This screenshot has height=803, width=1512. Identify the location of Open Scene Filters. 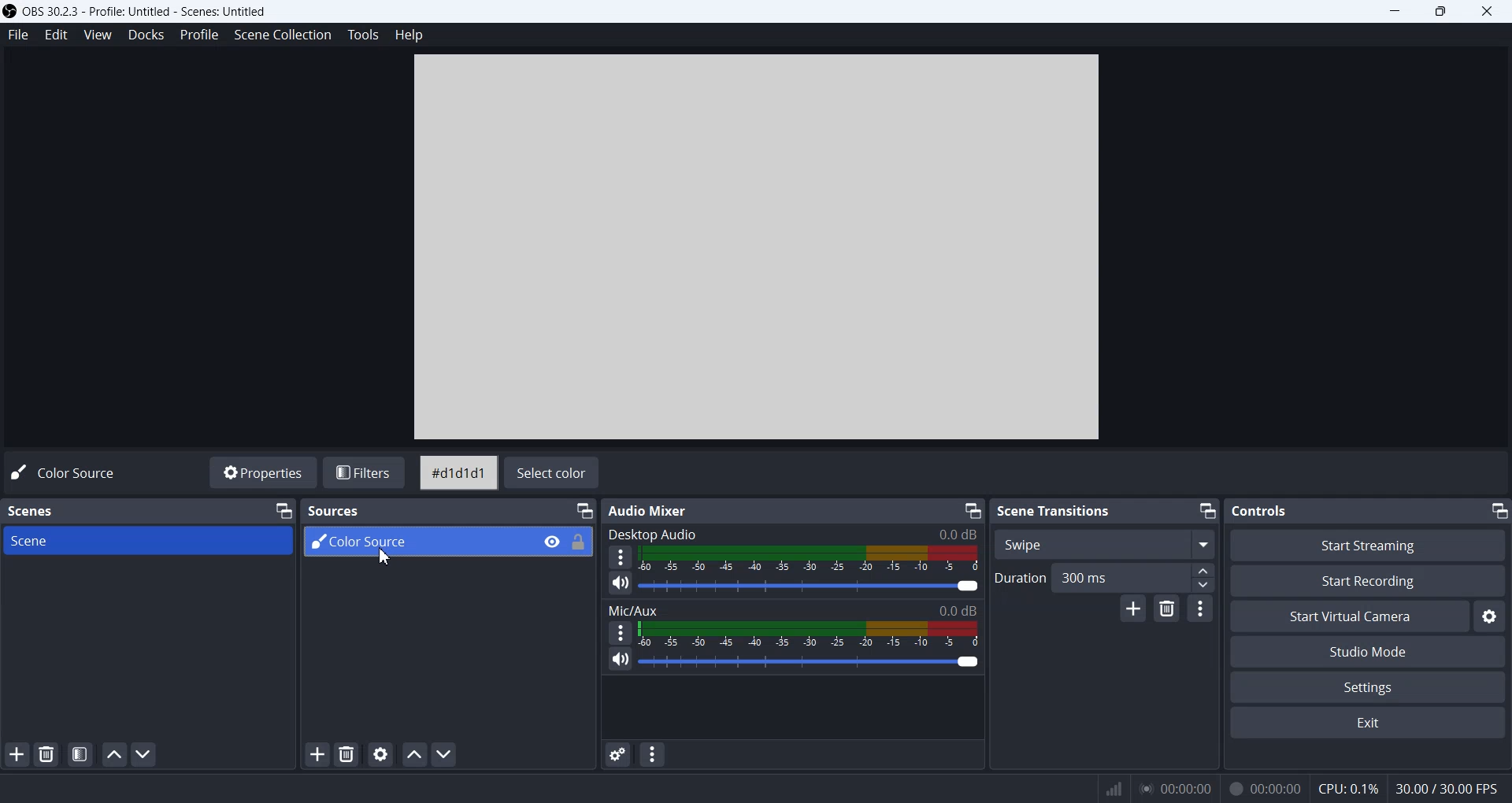
(79, 754).